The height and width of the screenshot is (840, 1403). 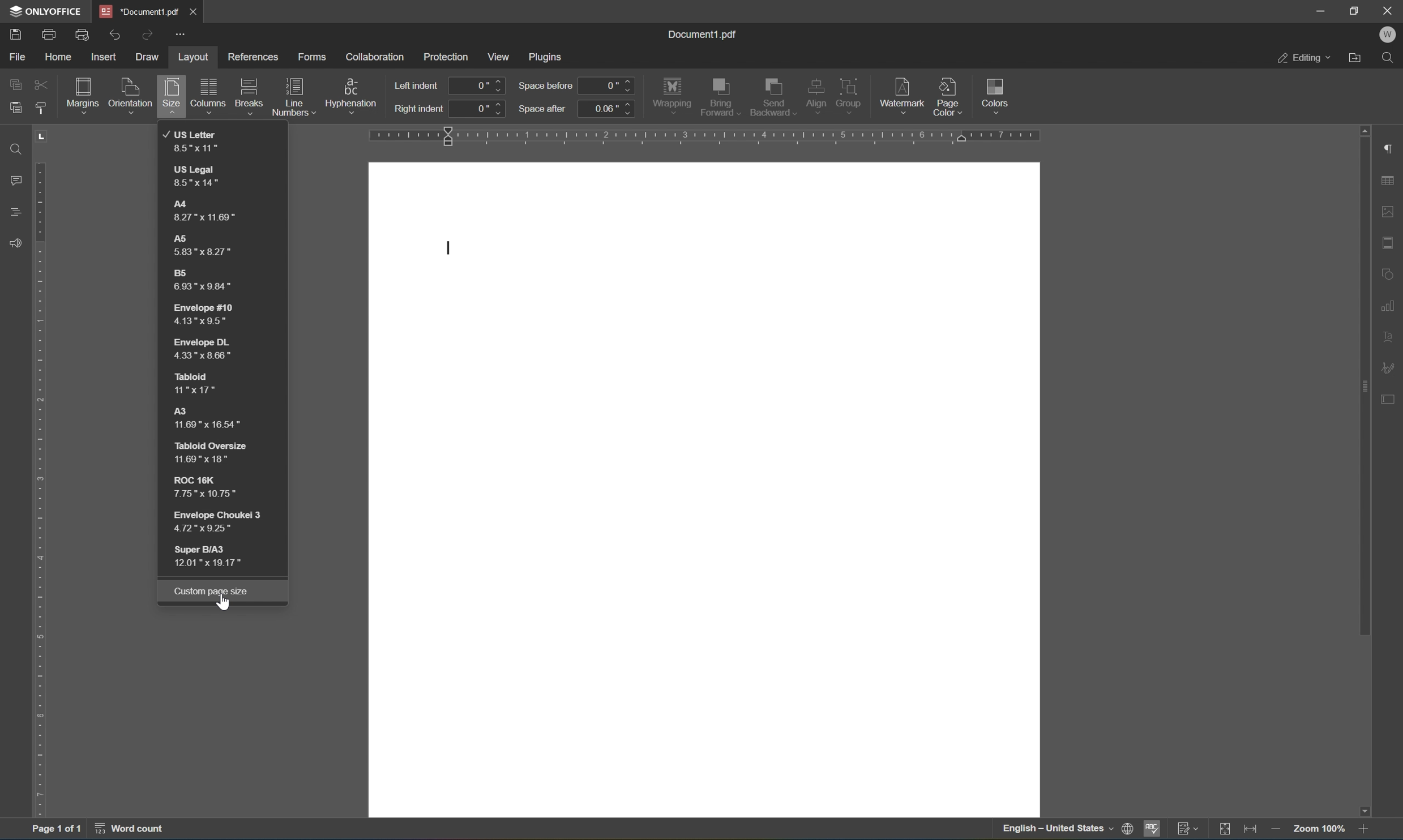 I want to click on Find, so click(x=13, y=148).